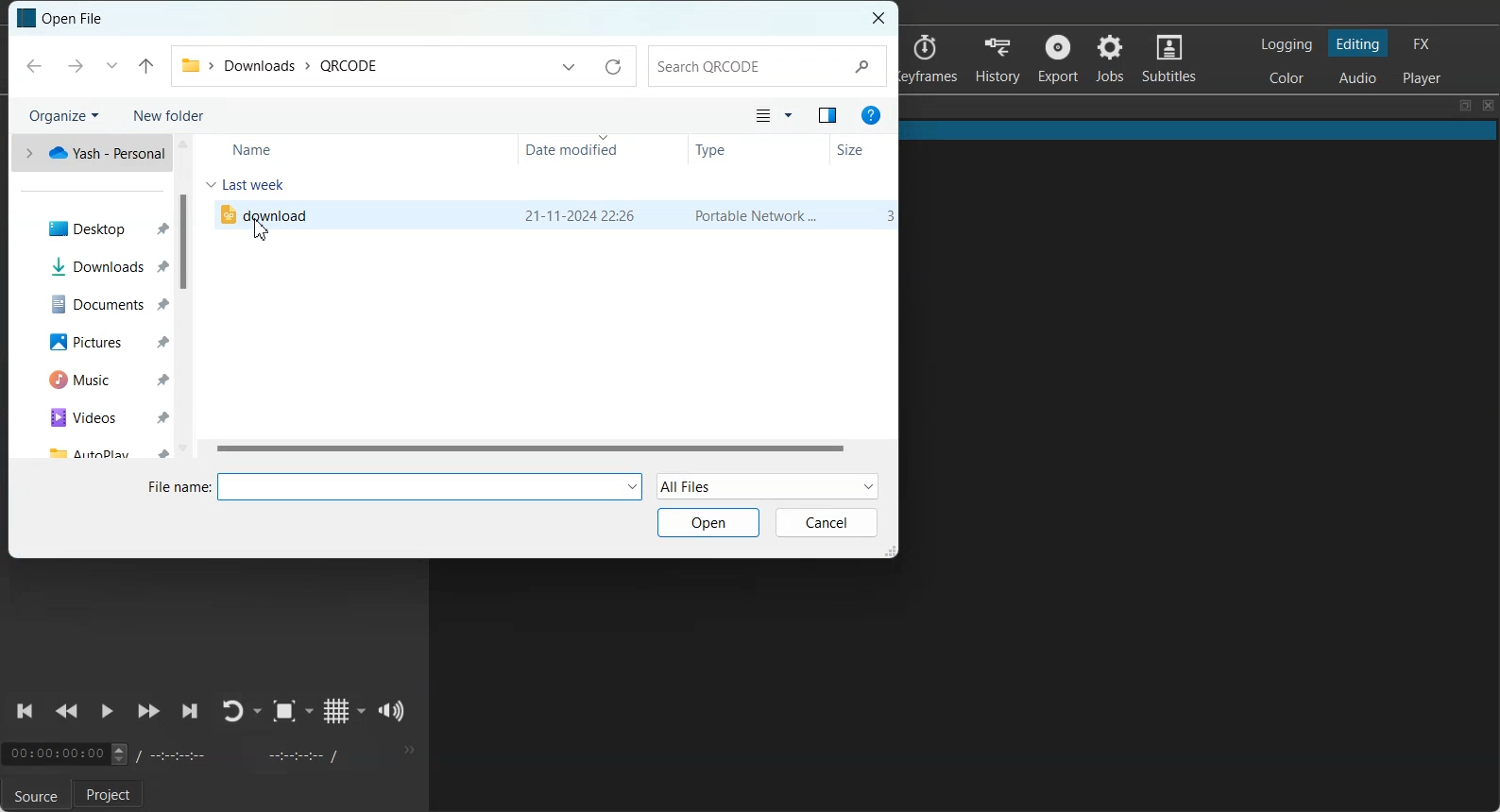 The image size is (1500, 812). Describe the element at coordinates (98, 303) in the screenshot. I see `Documents` at that location.